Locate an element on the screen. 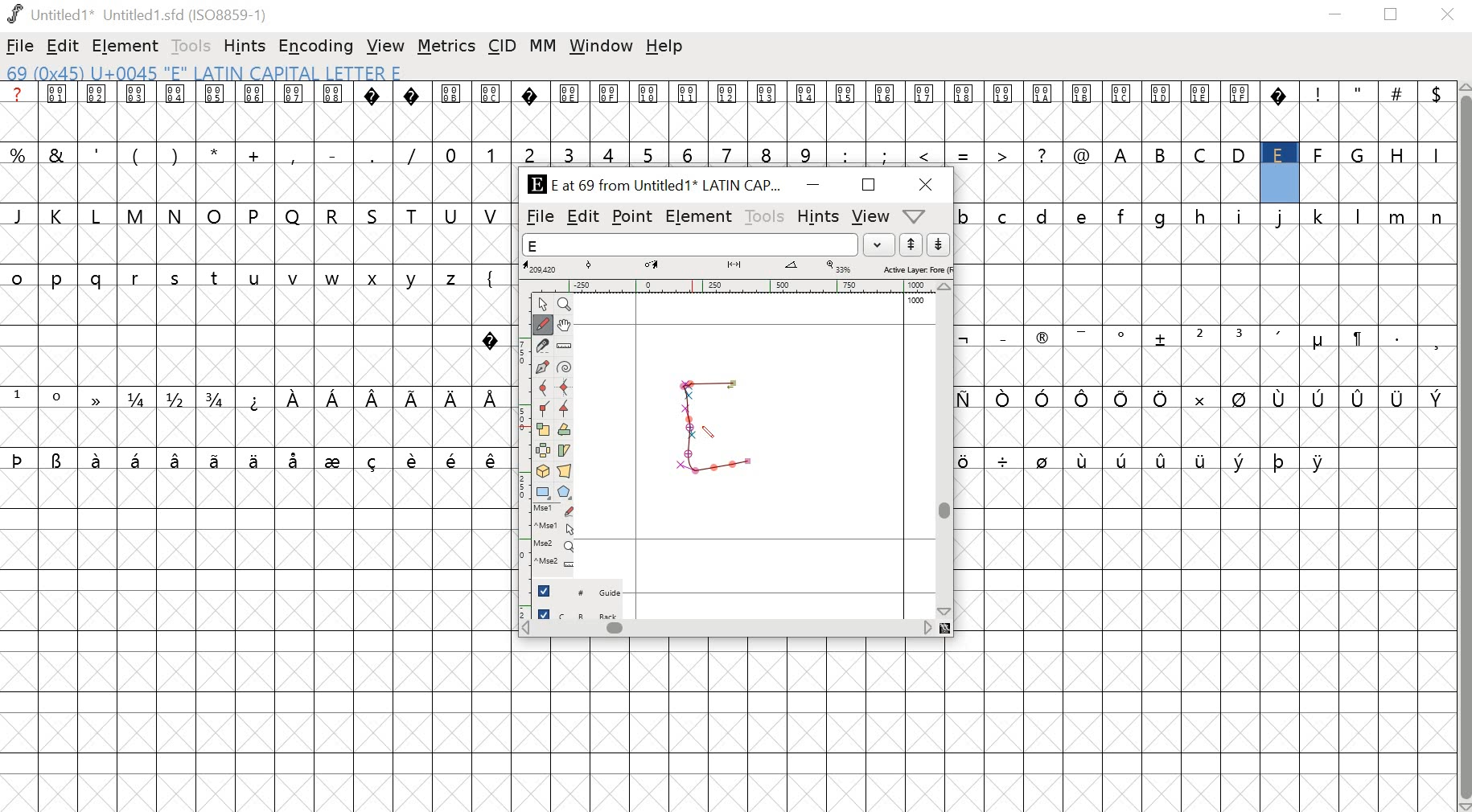 The width and height of the screenshot is (1472, 812). MM is located at coordinates (543, 47).